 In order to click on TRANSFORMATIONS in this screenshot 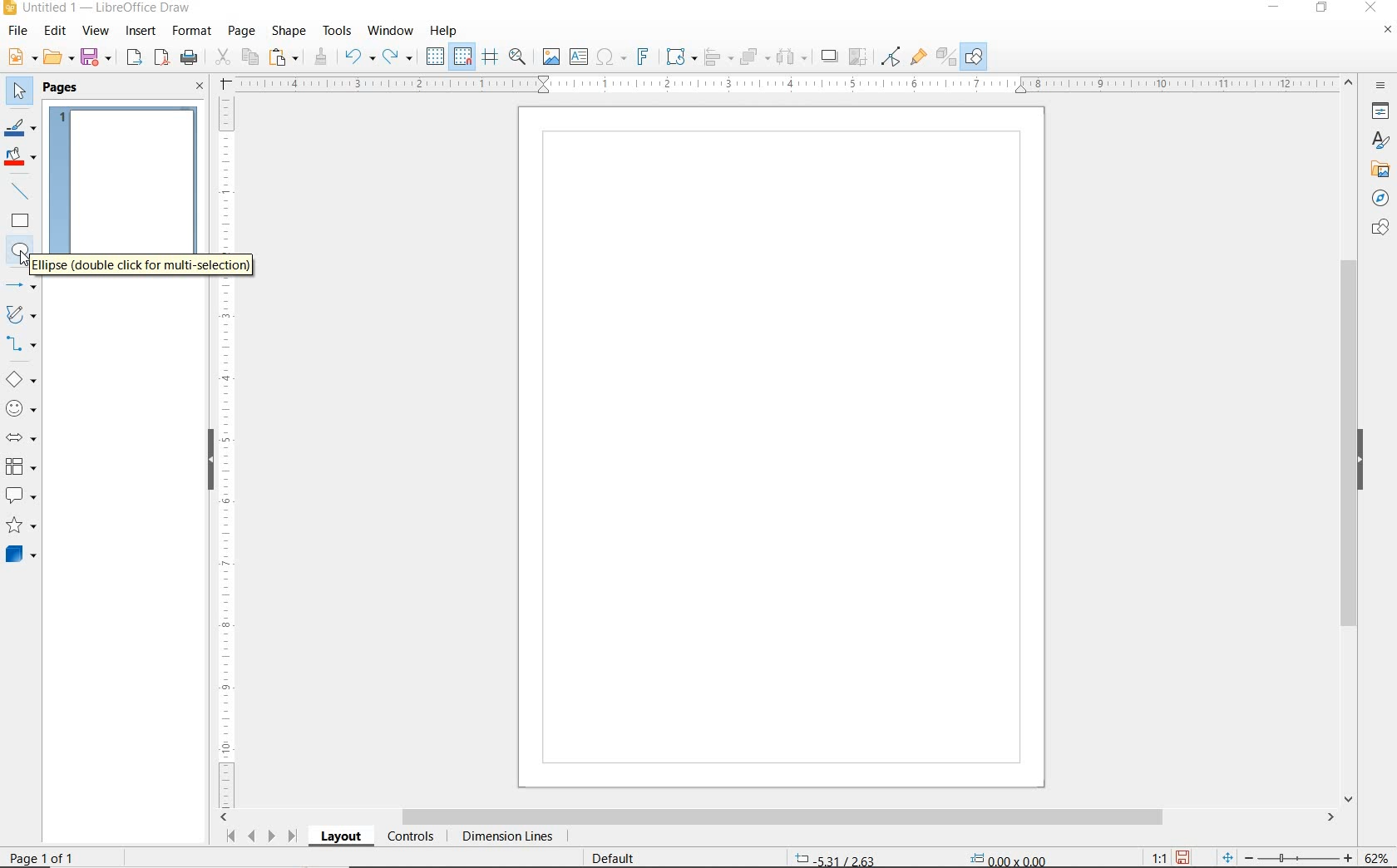, I will do `click(679, 57)`.